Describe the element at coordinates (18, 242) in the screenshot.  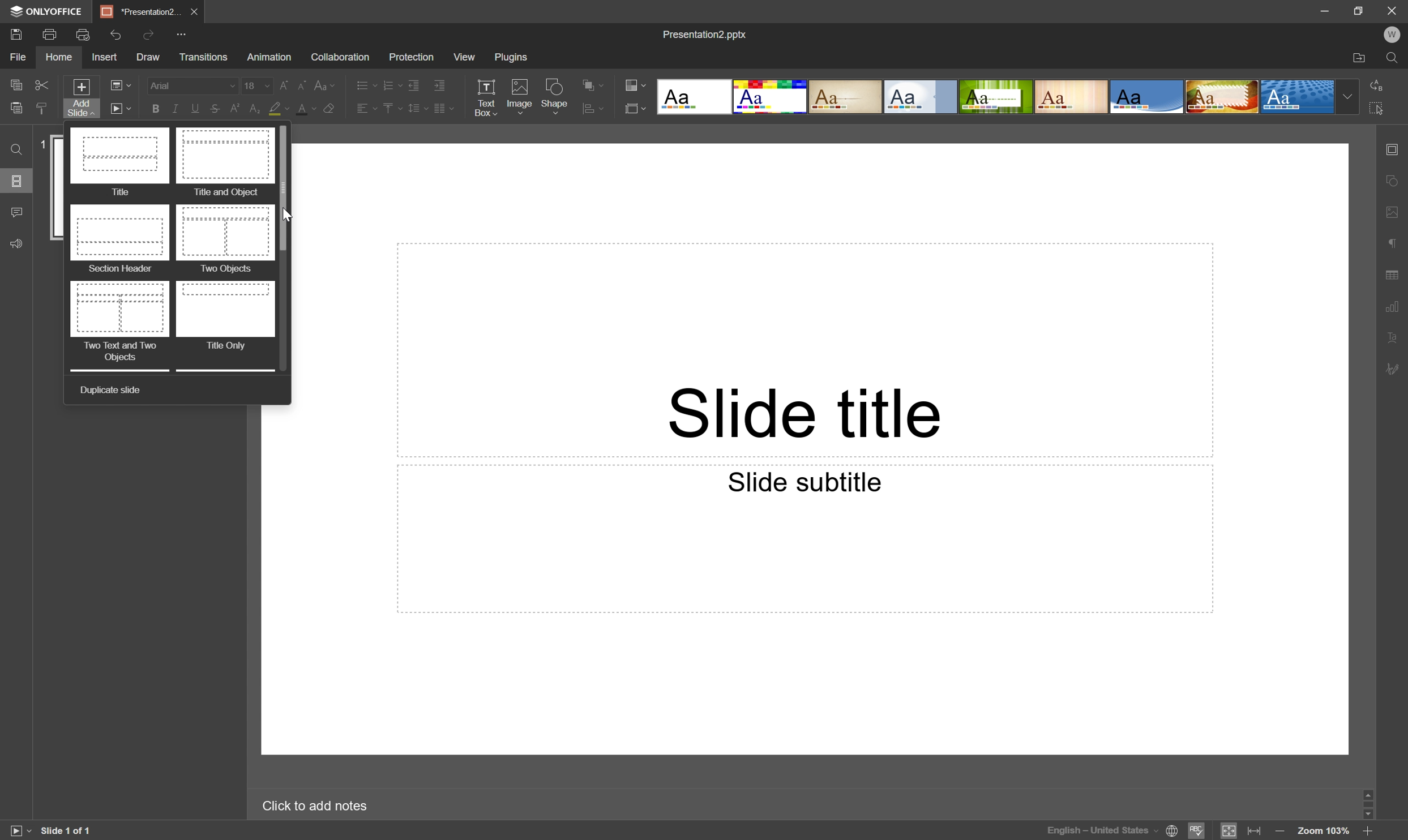
I see `Feedback & Support` at that location.